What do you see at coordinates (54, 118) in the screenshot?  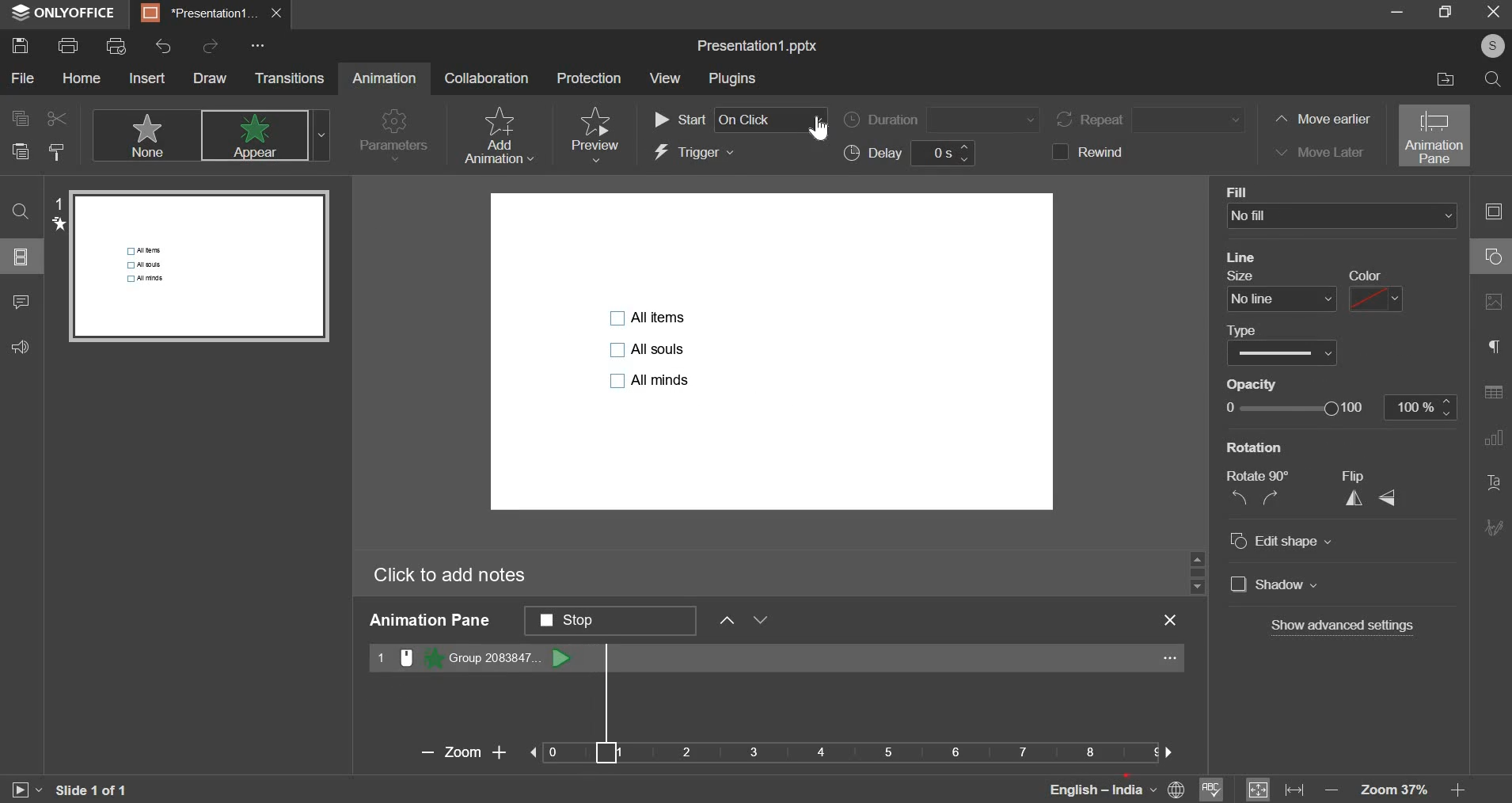 I see `cut` at bounding box center [54, 118].